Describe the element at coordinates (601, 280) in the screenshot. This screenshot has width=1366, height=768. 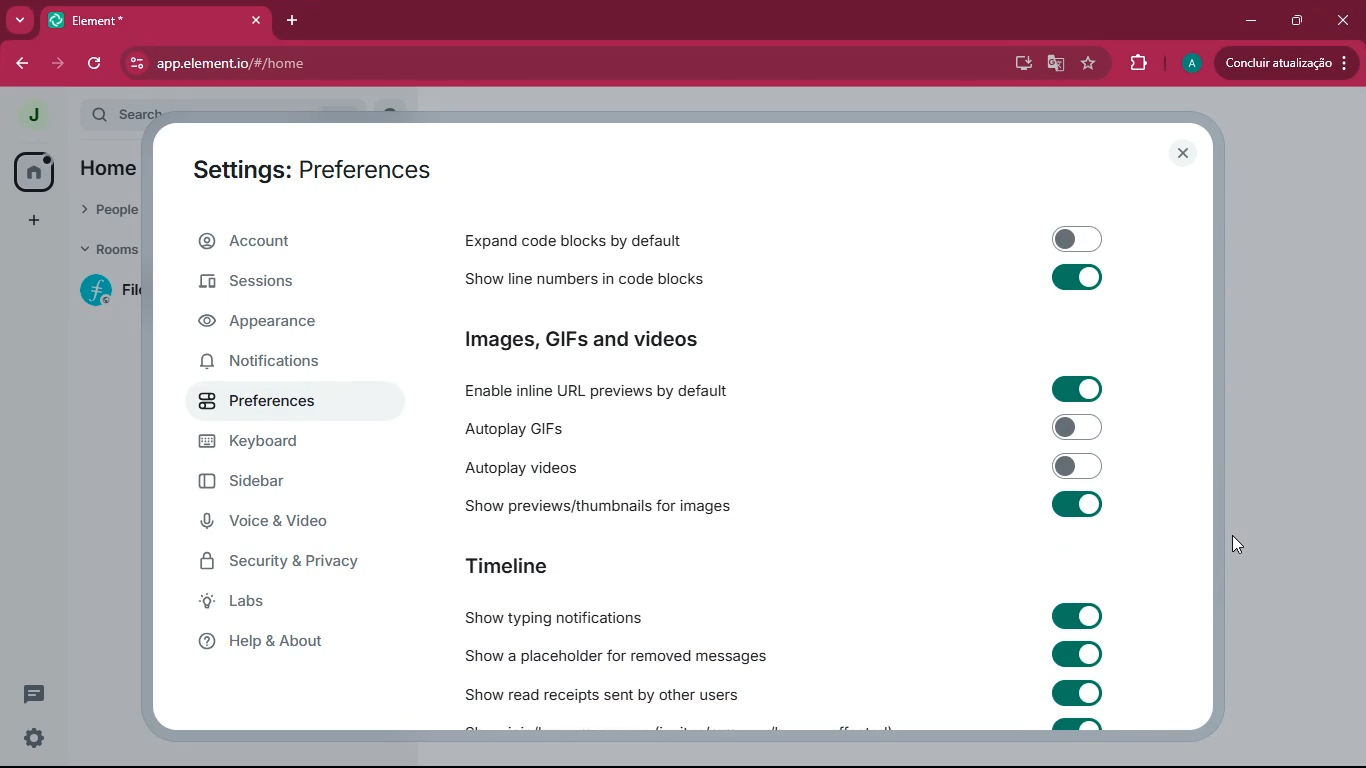
I see `show line numbers in code blocks` at that location.